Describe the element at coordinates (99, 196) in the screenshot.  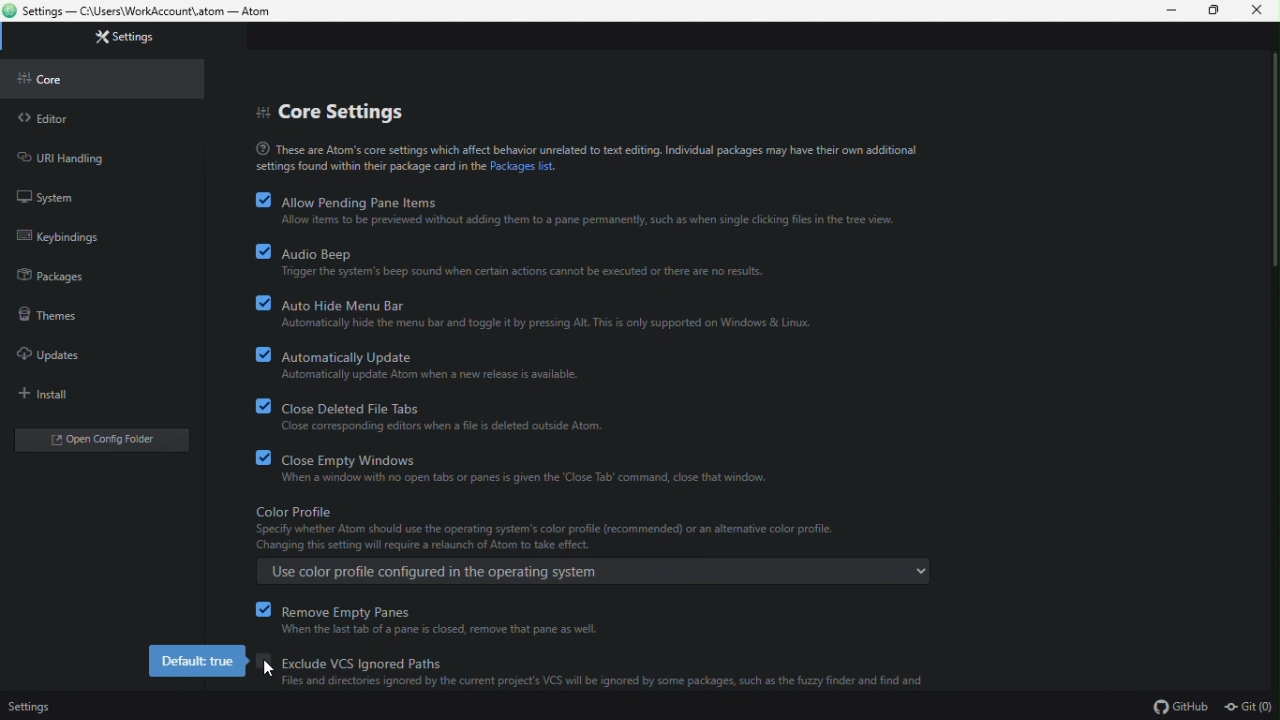
I see `System` at that location.